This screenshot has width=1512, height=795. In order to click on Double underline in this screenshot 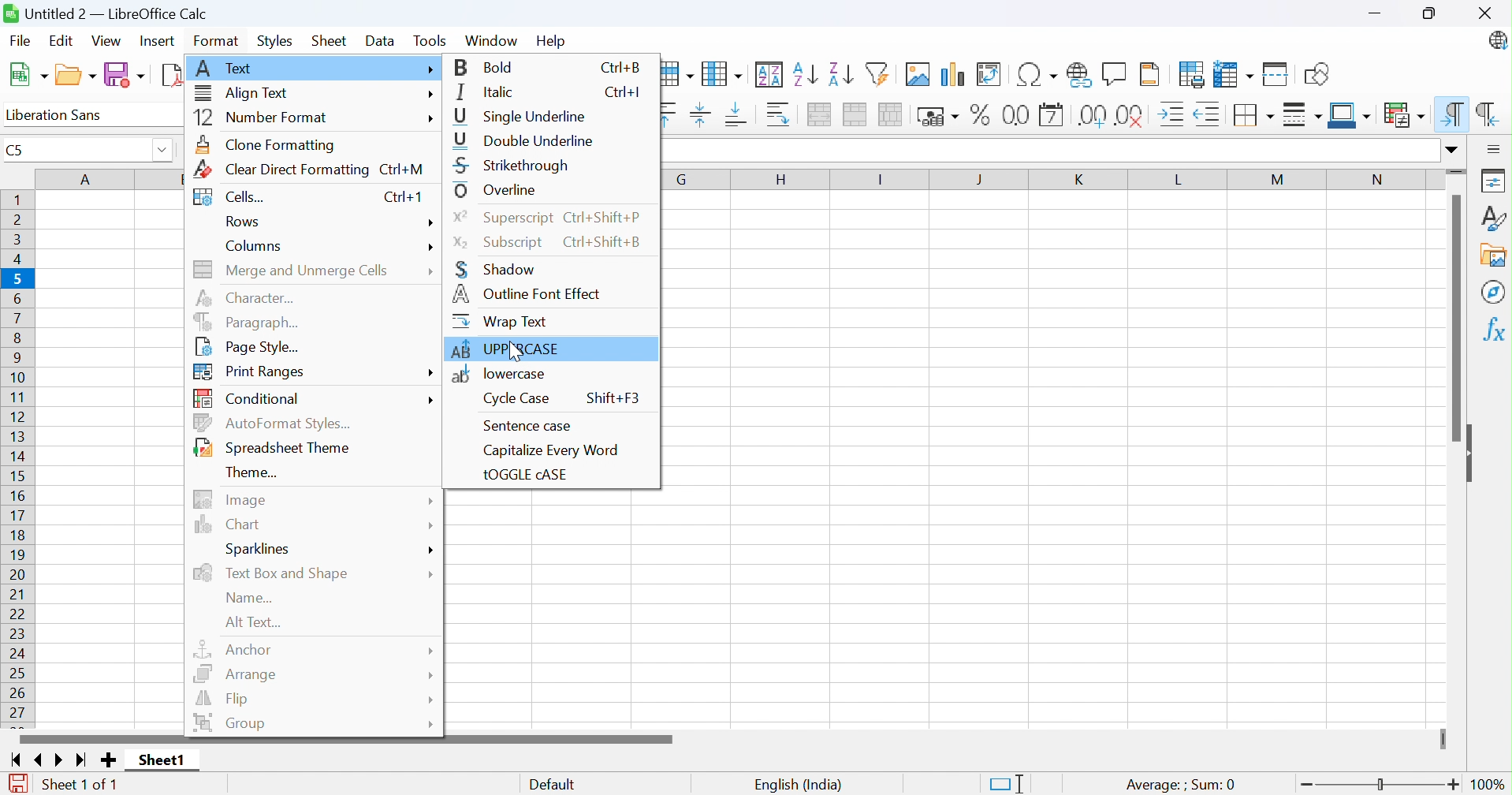, I will do `click(524, 142)`.